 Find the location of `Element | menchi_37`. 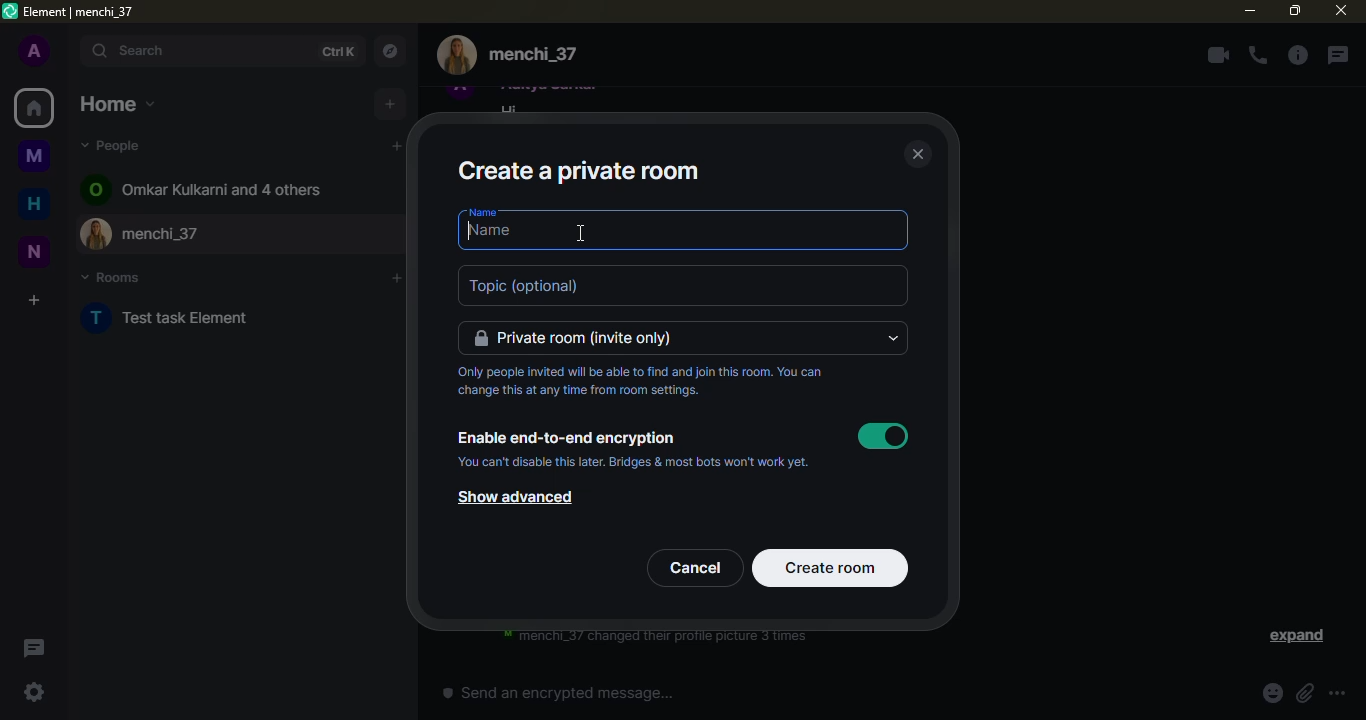

Element | menchi_37 is located at coordinates (79, 12).